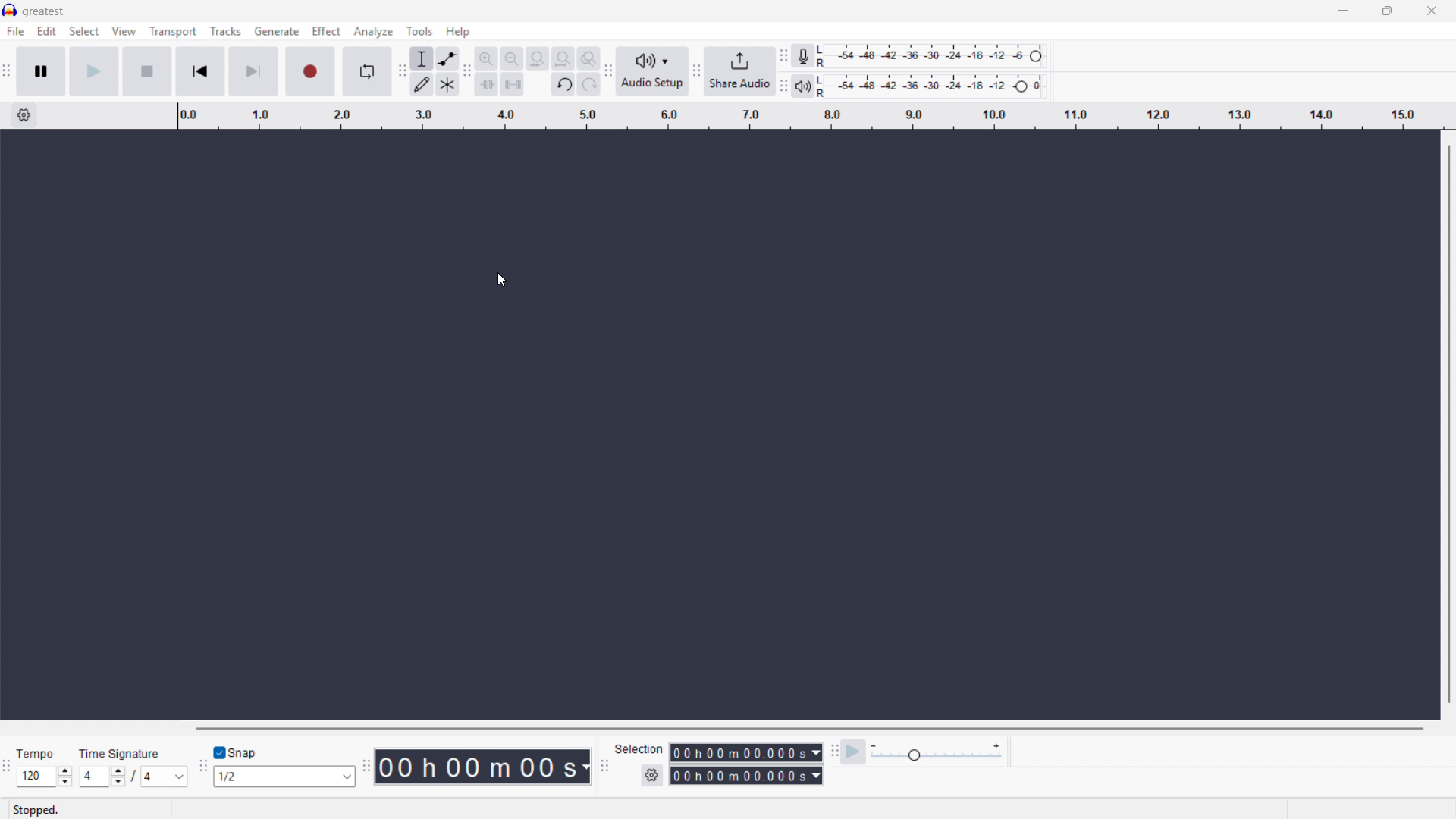  Describe the element at coordinates (401, 71) in the screenshot. I see `Tools toolbar ` at that location.